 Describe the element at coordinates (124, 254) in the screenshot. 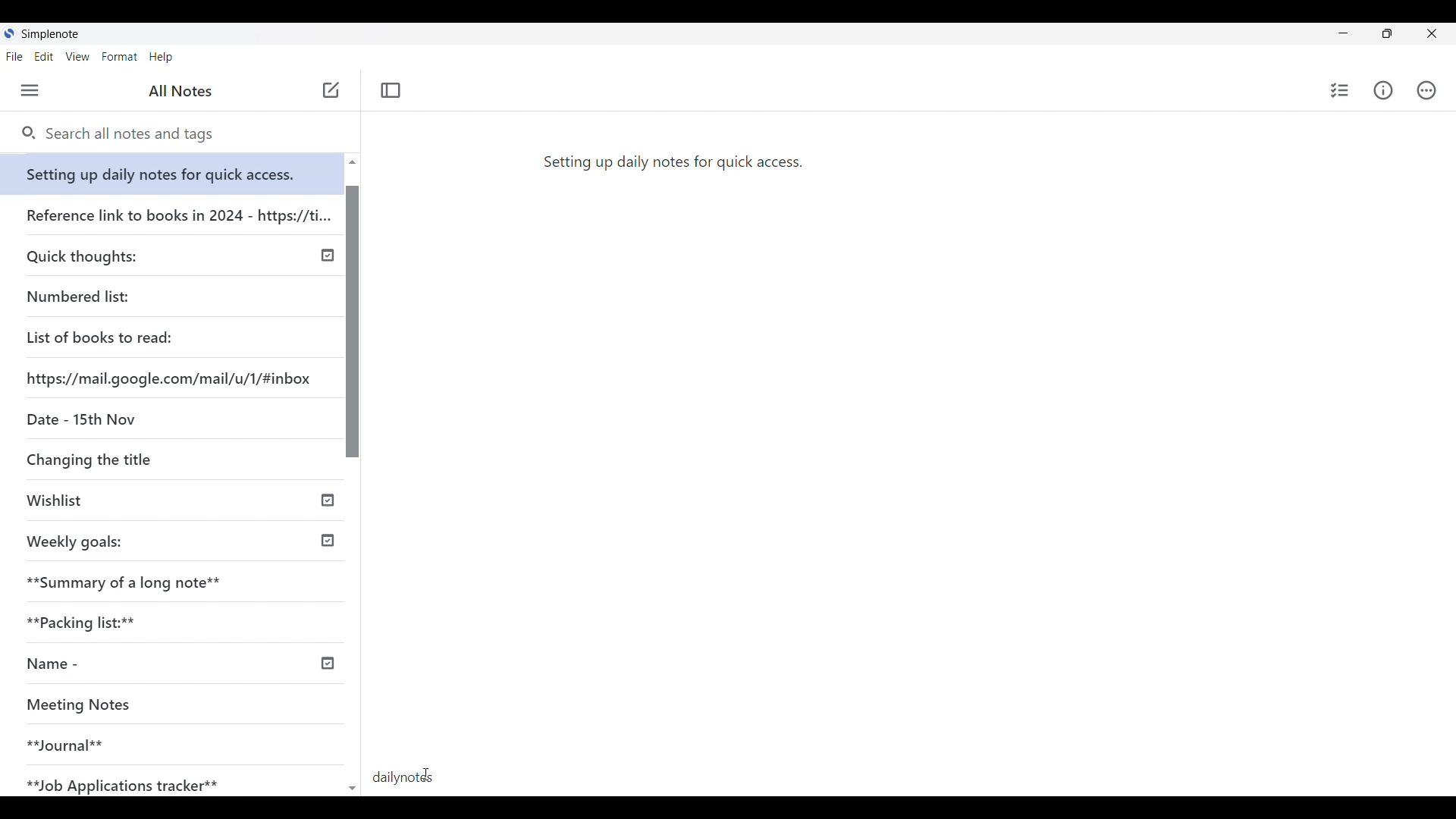

I see `Quick thoughts` at that location.